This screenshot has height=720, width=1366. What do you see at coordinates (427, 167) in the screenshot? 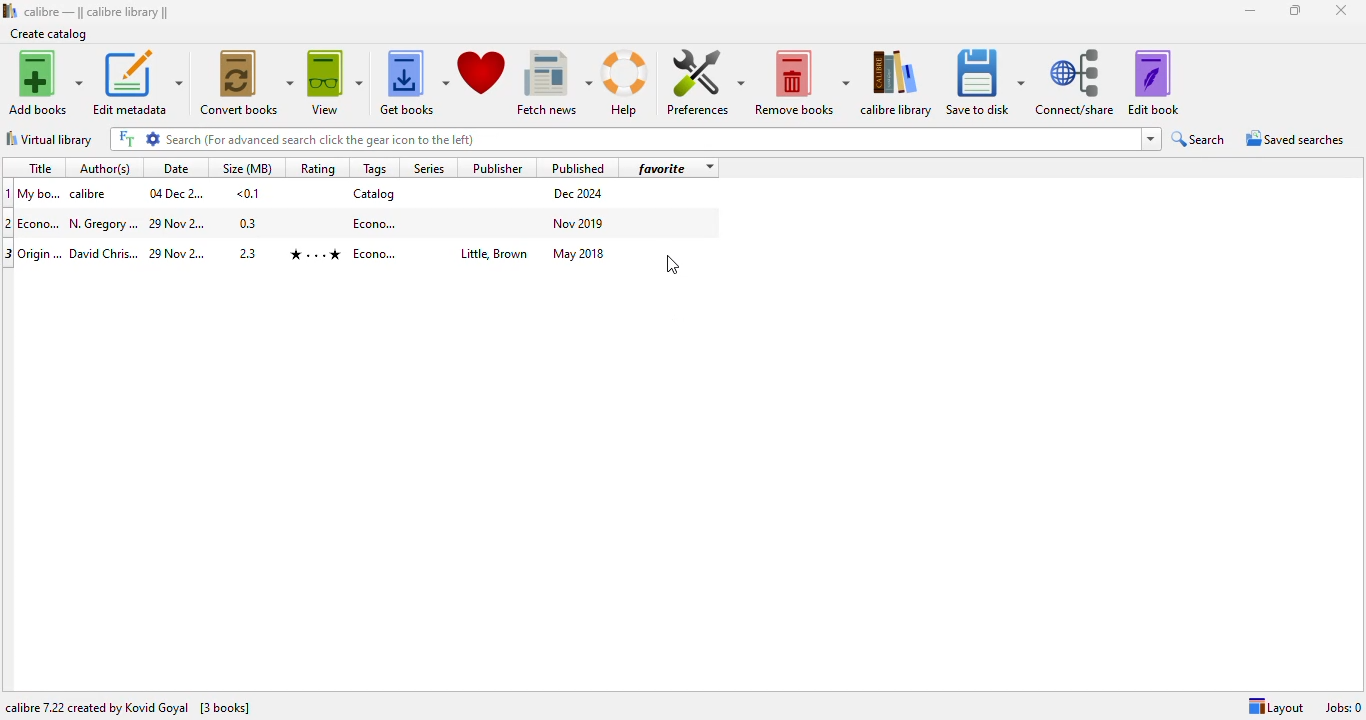
I see `series` at bounding box center [427, 167].